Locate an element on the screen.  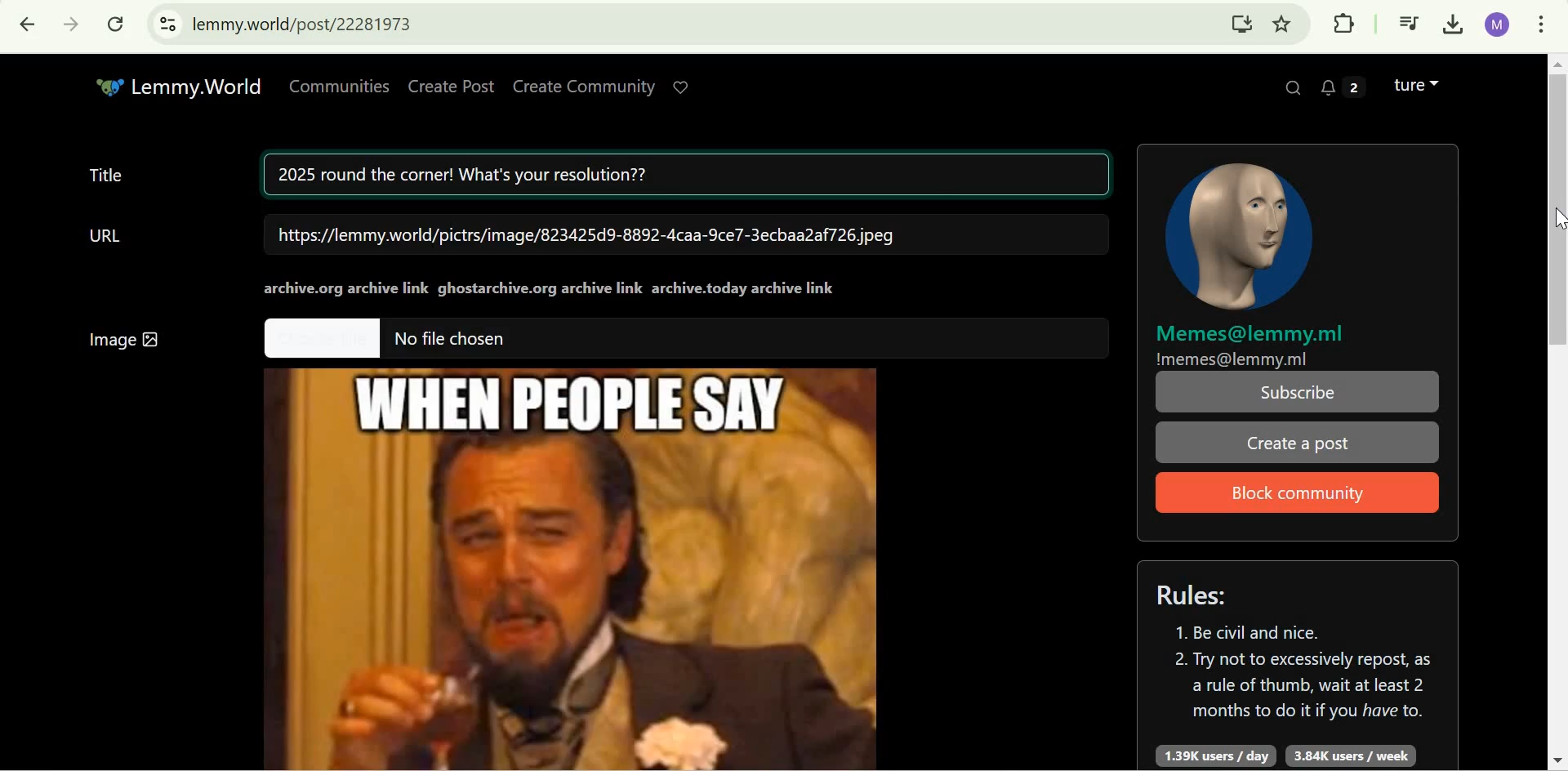
customize and control google chrome is located at coordinates (1541, 27).